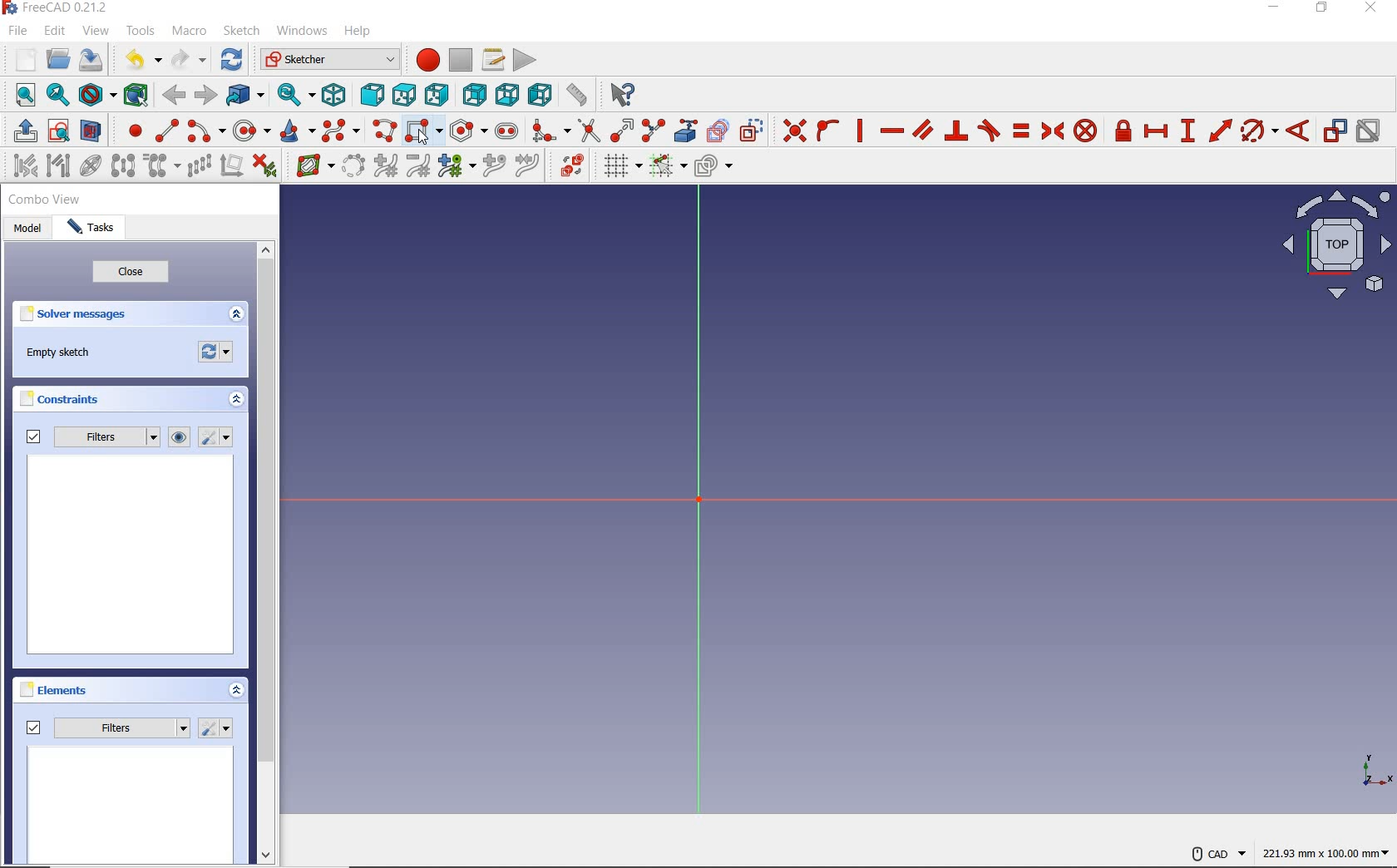  Describe the element at coordinates (231, 167) in the screenshot. I see `remove axes alignment` at that location.